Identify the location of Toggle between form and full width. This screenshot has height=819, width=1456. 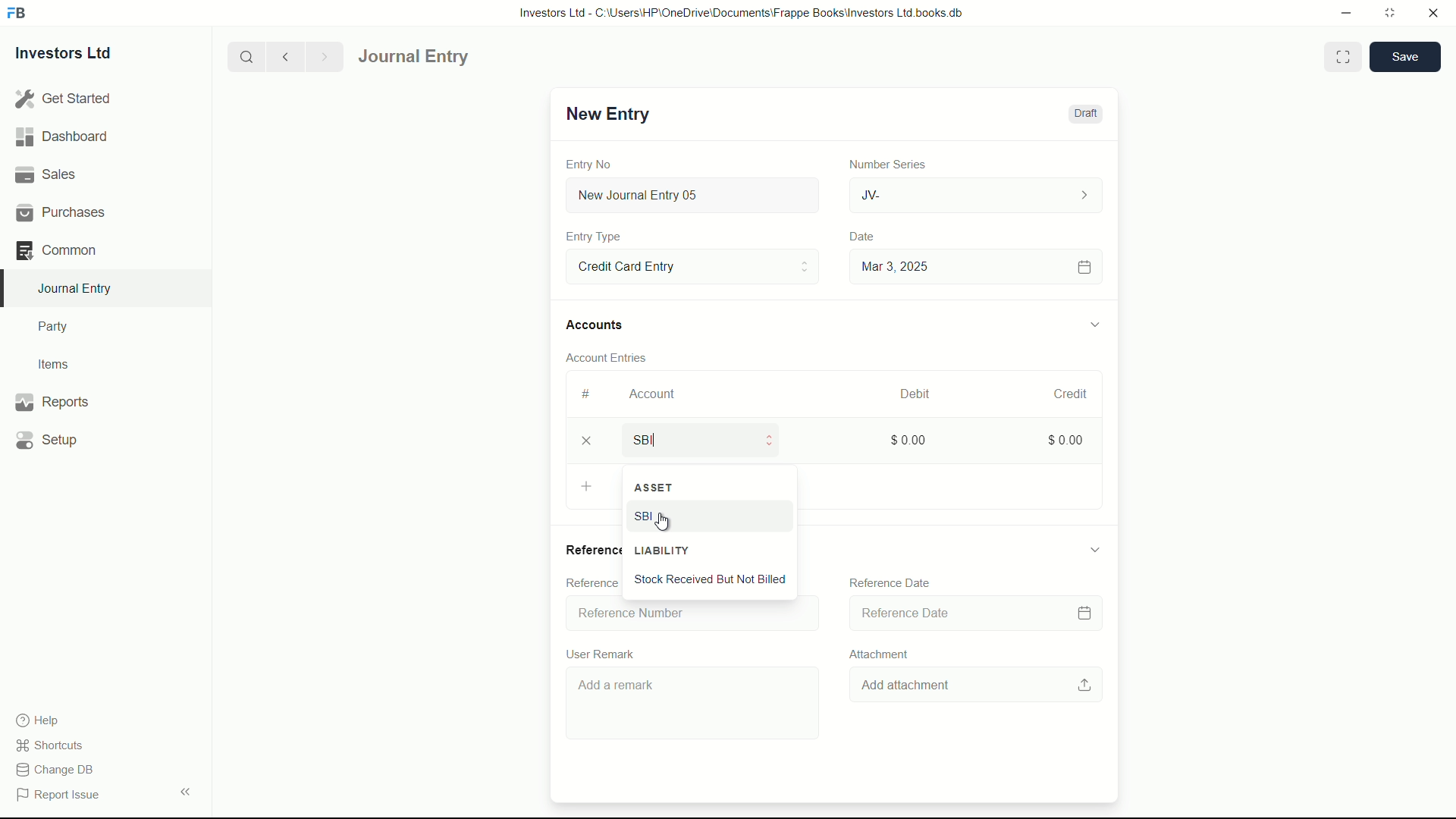
(1344, 57).